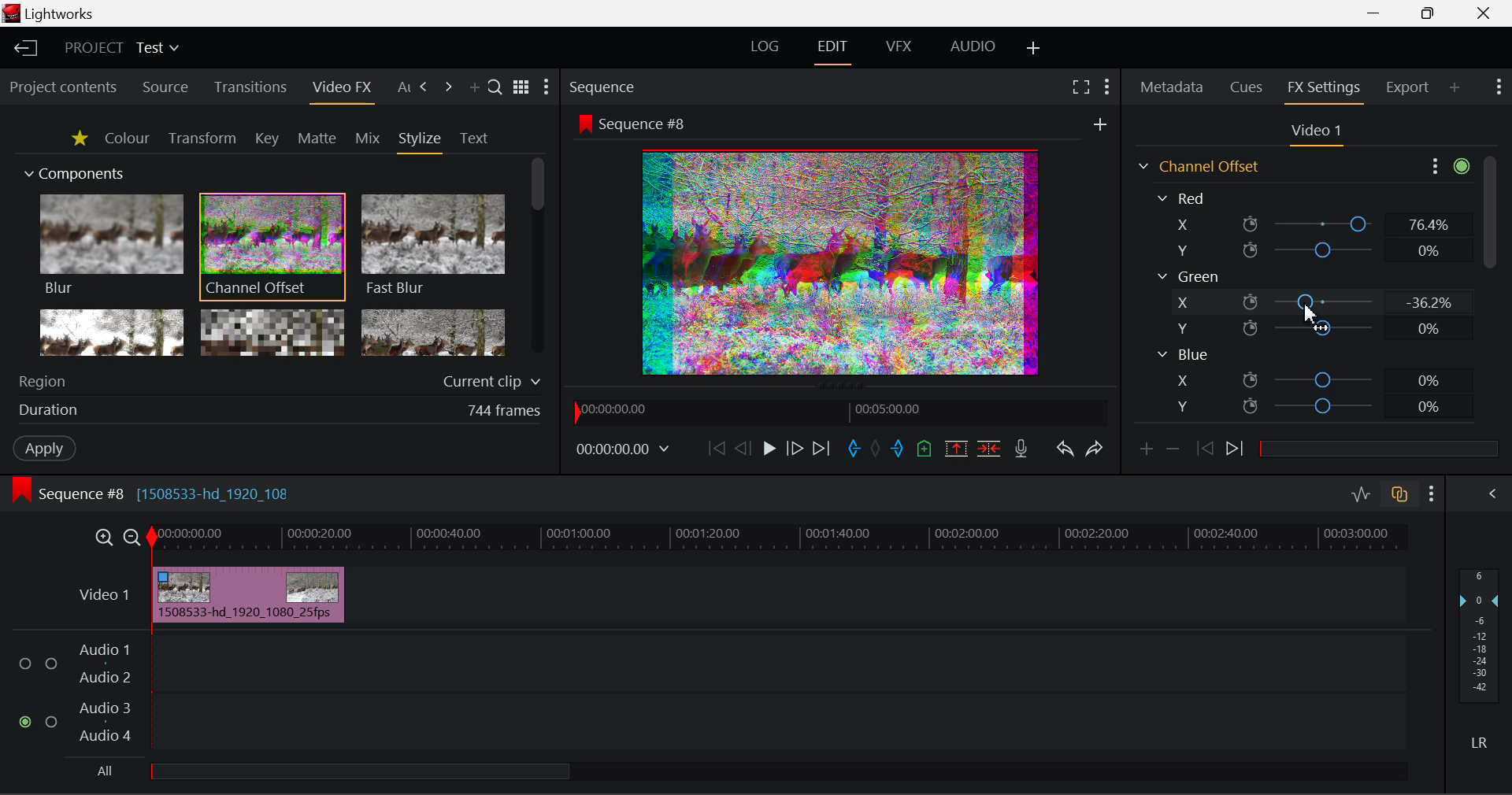 The height and width of the screenshot is (795, 1512). Describe the element at coordinates (60, 14) in the screenshot. I see `Window Title` at that location.